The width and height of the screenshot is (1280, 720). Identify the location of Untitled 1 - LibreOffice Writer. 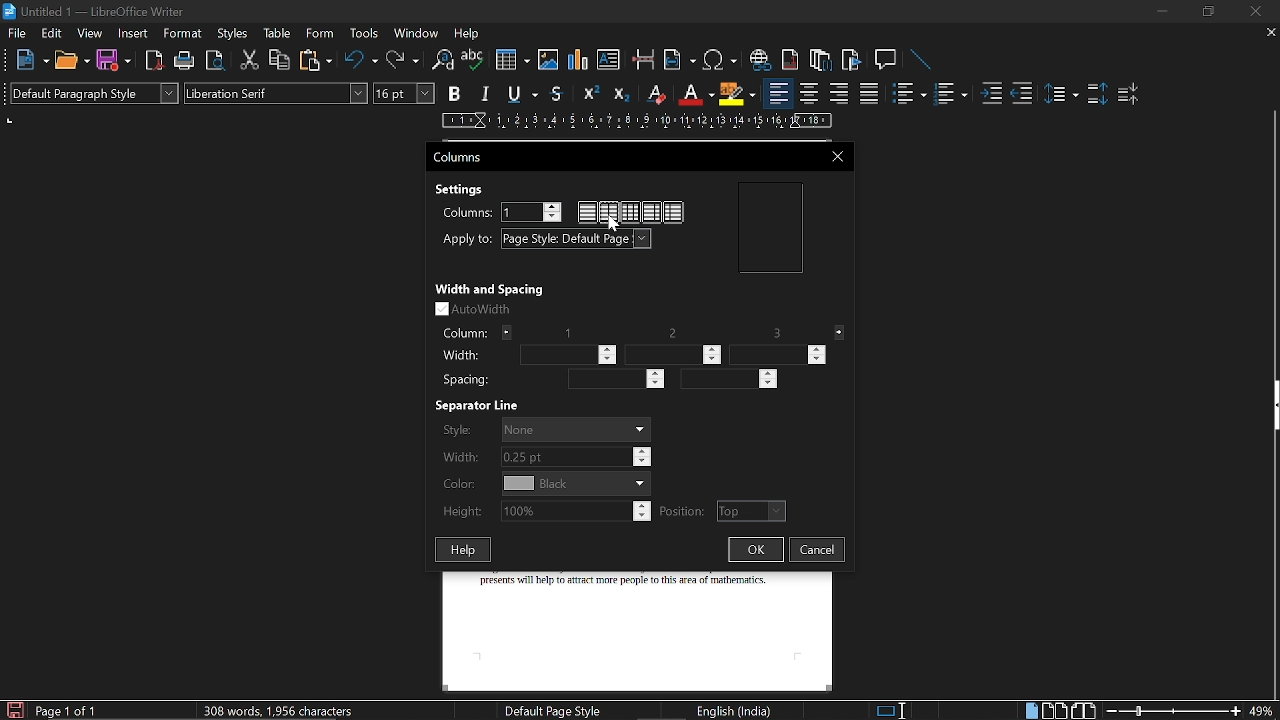
(94, 11).